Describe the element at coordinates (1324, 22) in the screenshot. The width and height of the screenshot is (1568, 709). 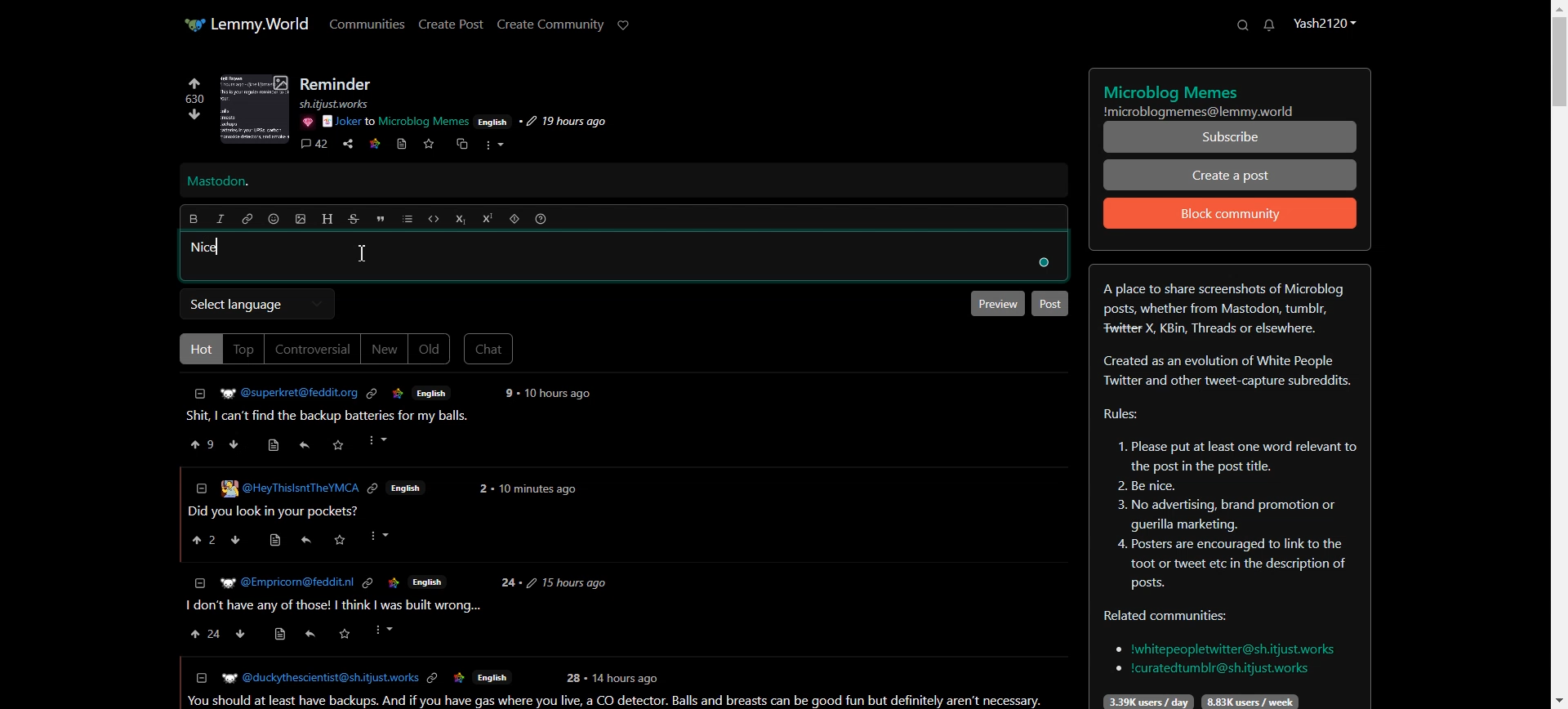
I see `Profile` at that location.